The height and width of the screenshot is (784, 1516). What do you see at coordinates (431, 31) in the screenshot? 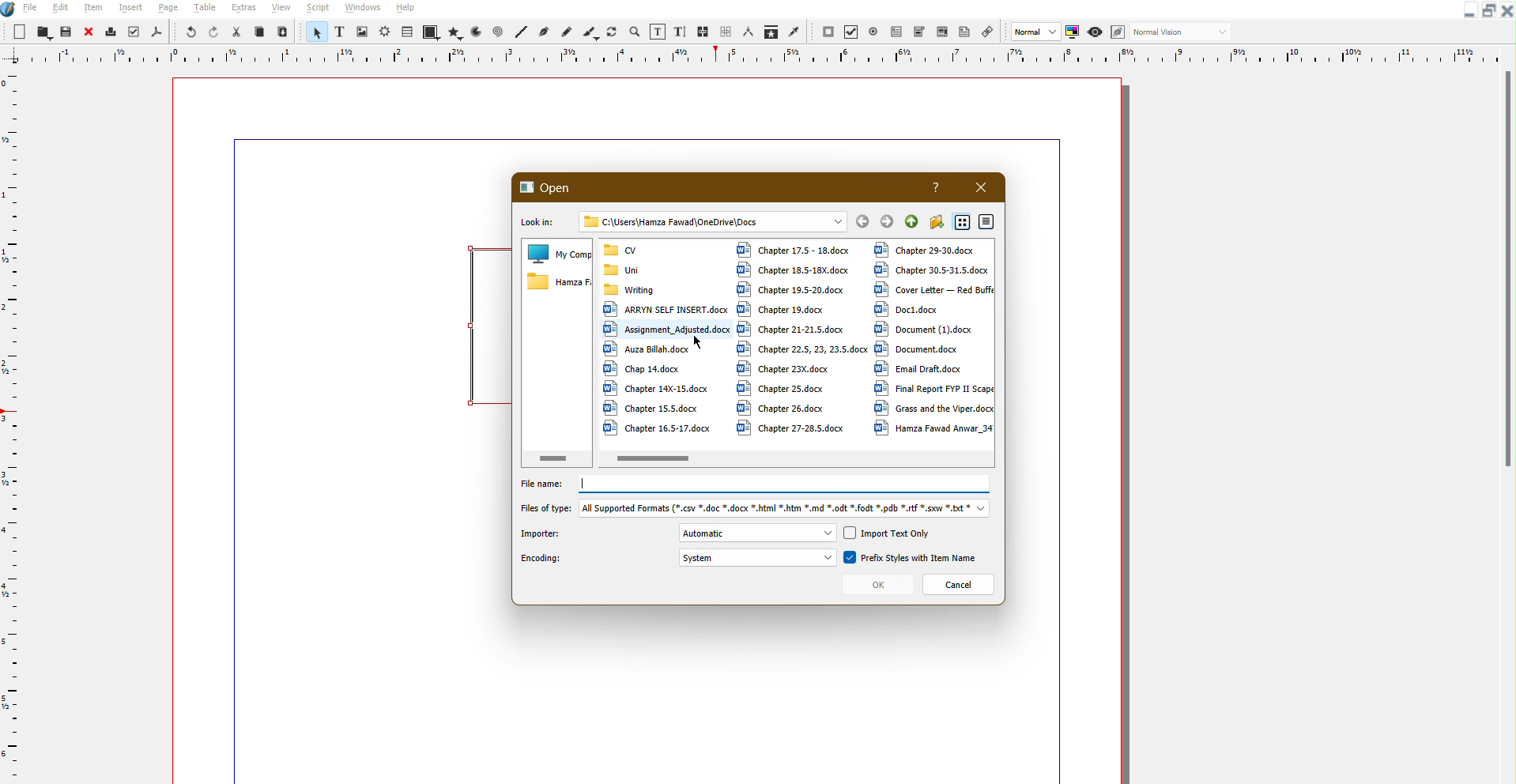
I see `Shapes` at bounding box center [431, 31].